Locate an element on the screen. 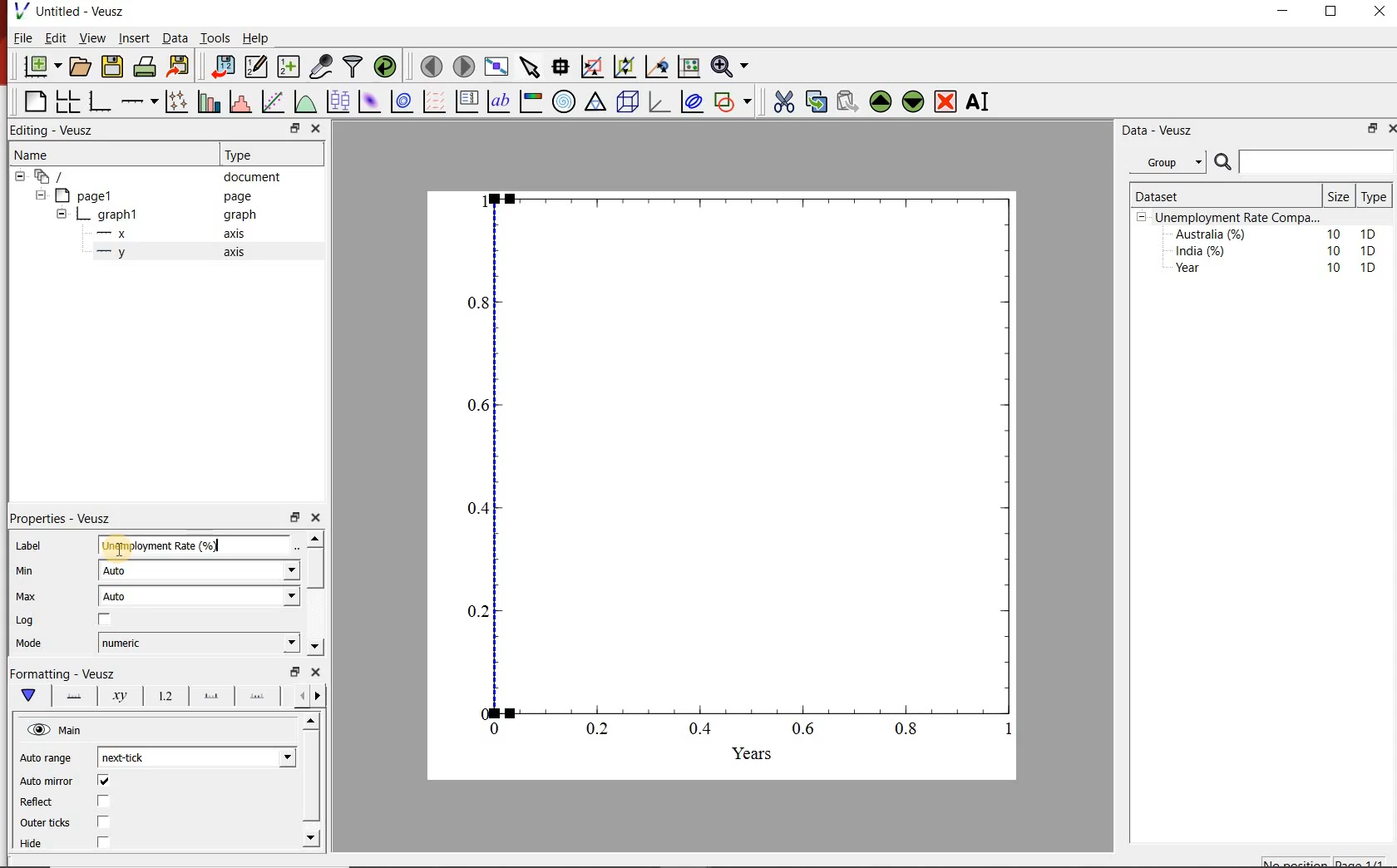  close is located at coordinates (317, 518).